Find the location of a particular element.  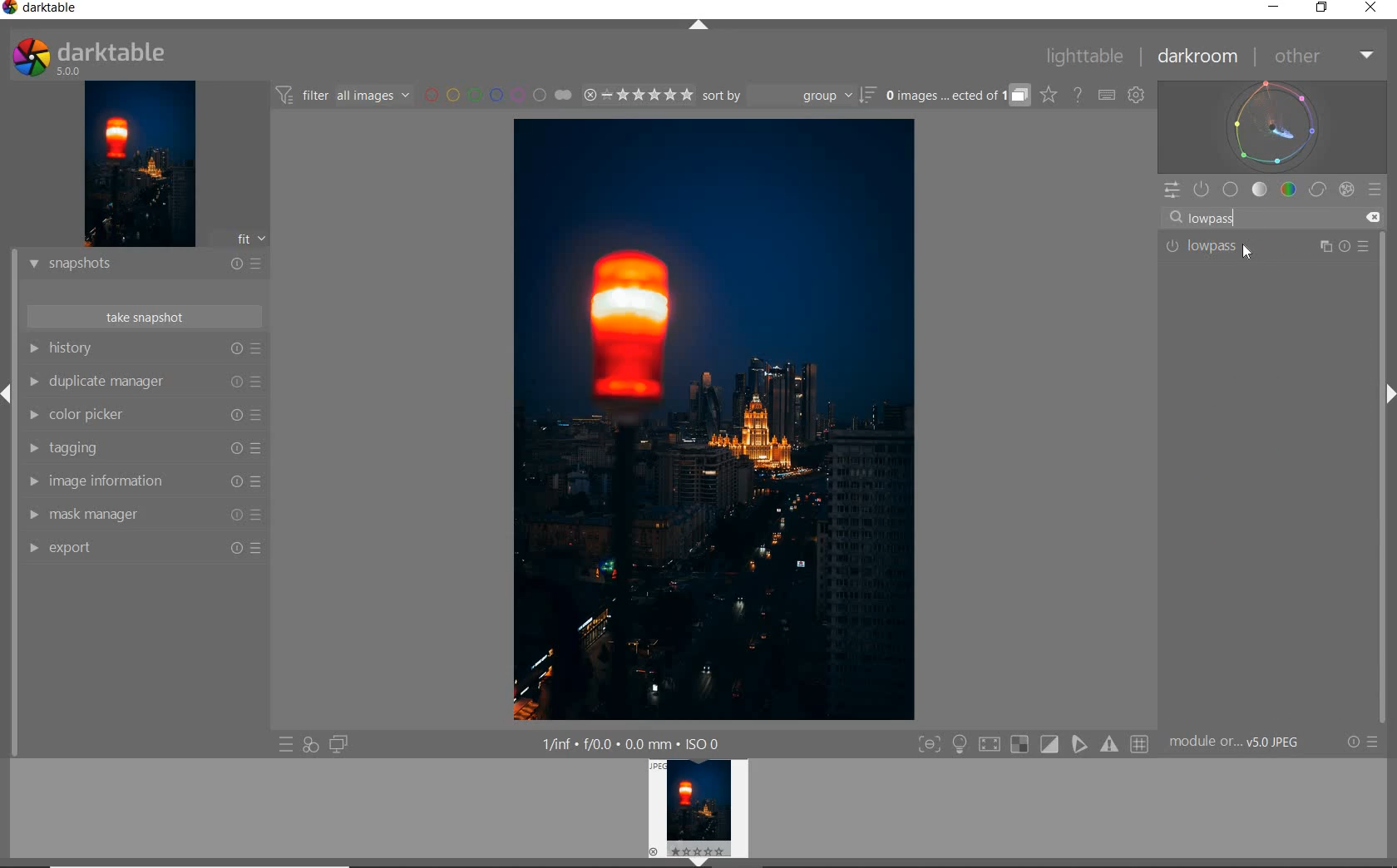

OTHER is located at coordinates (1323, 57).